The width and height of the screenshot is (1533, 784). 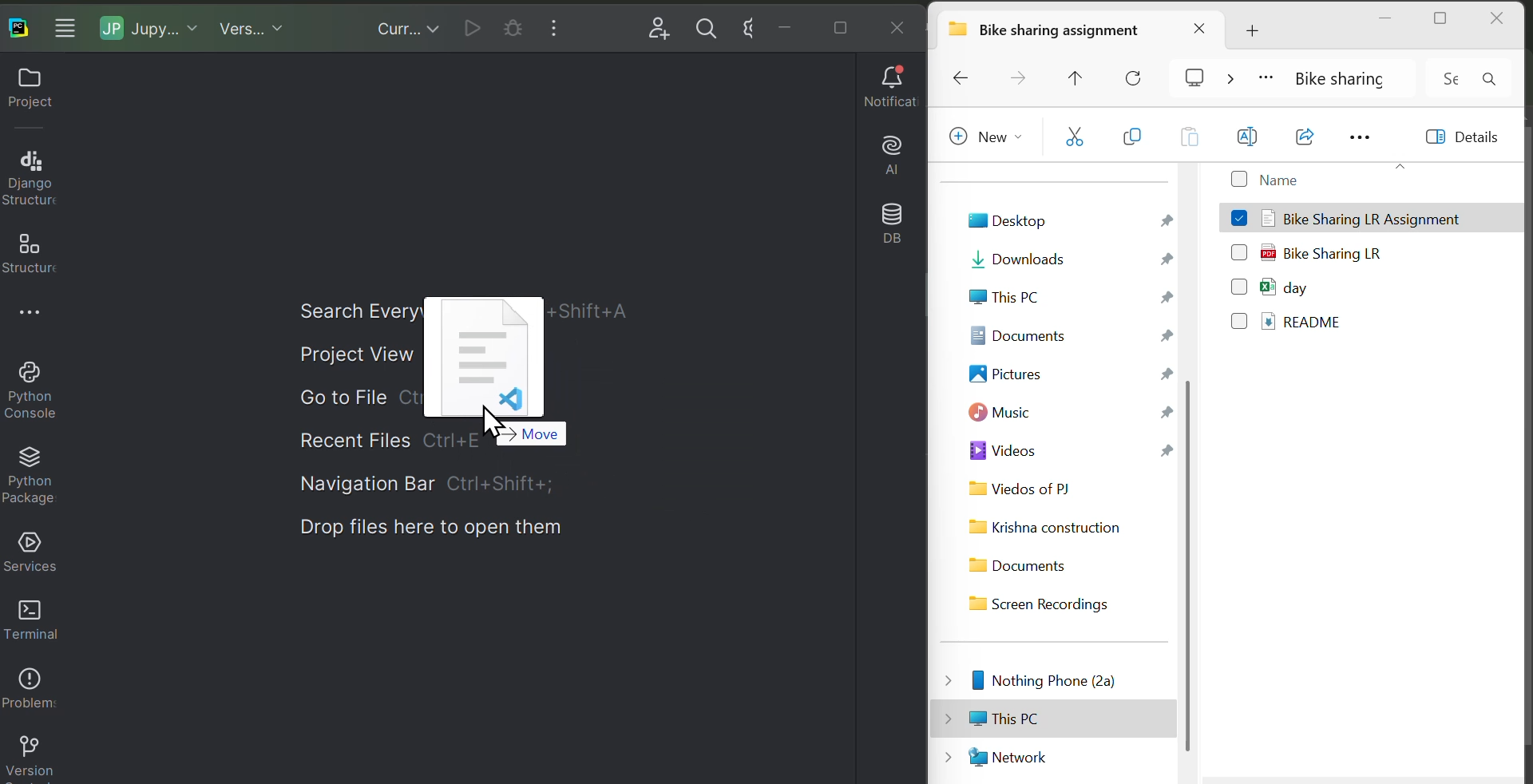 I want to click on Project, so click(x=33, y=92).